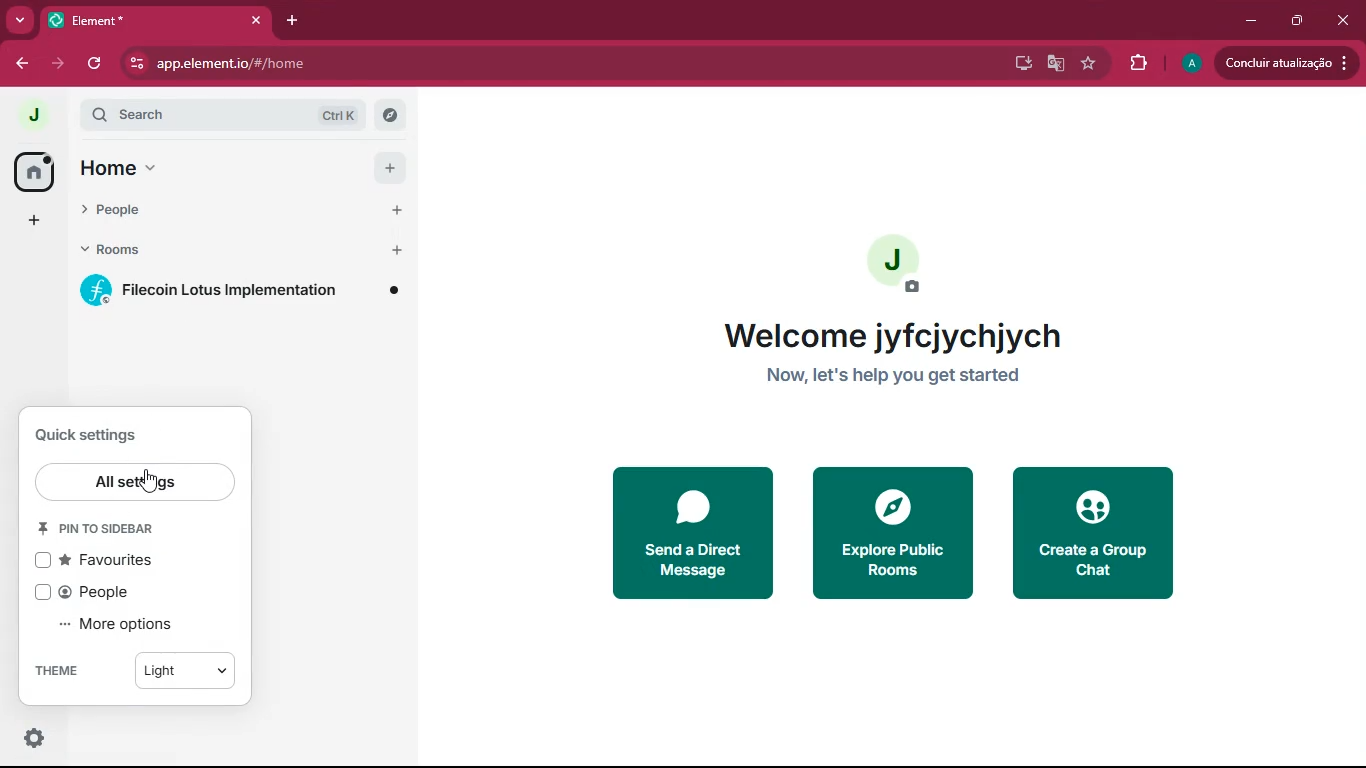 The image size is (1366, 768). What do you see at coordinates (155, 20) in the screenshot?
I see `element` at bounding box center [155, 20].